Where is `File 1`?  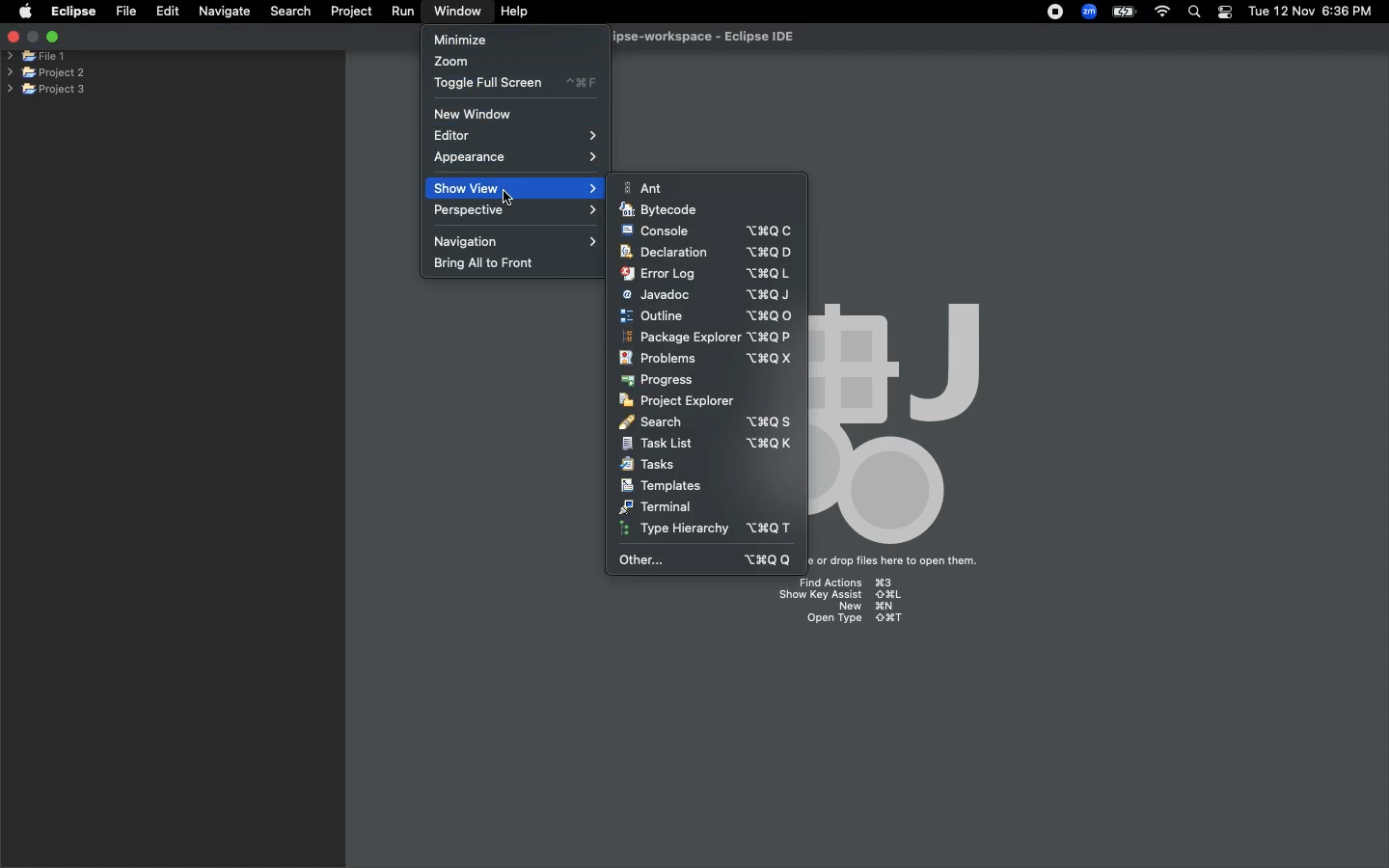
File 1 is located at coordinates (37, 57).